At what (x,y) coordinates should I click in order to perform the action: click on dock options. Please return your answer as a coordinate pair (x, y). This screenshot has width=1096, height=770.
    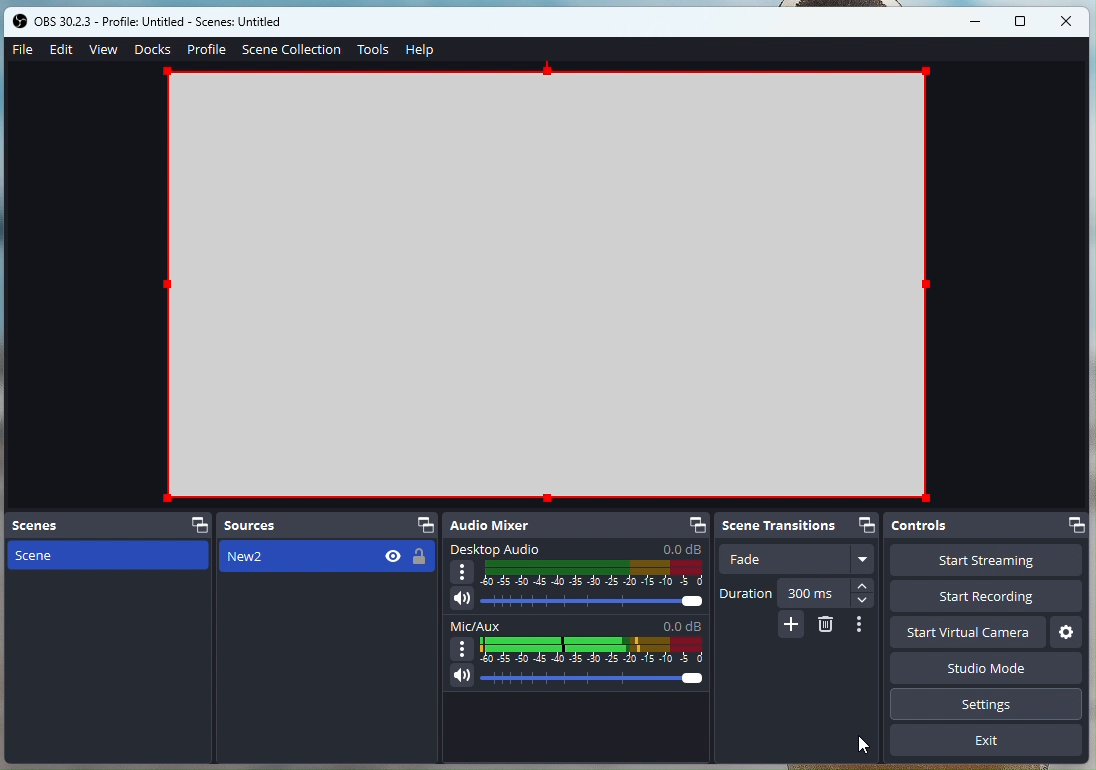
    Looking at the image, I should click on (198, 522).